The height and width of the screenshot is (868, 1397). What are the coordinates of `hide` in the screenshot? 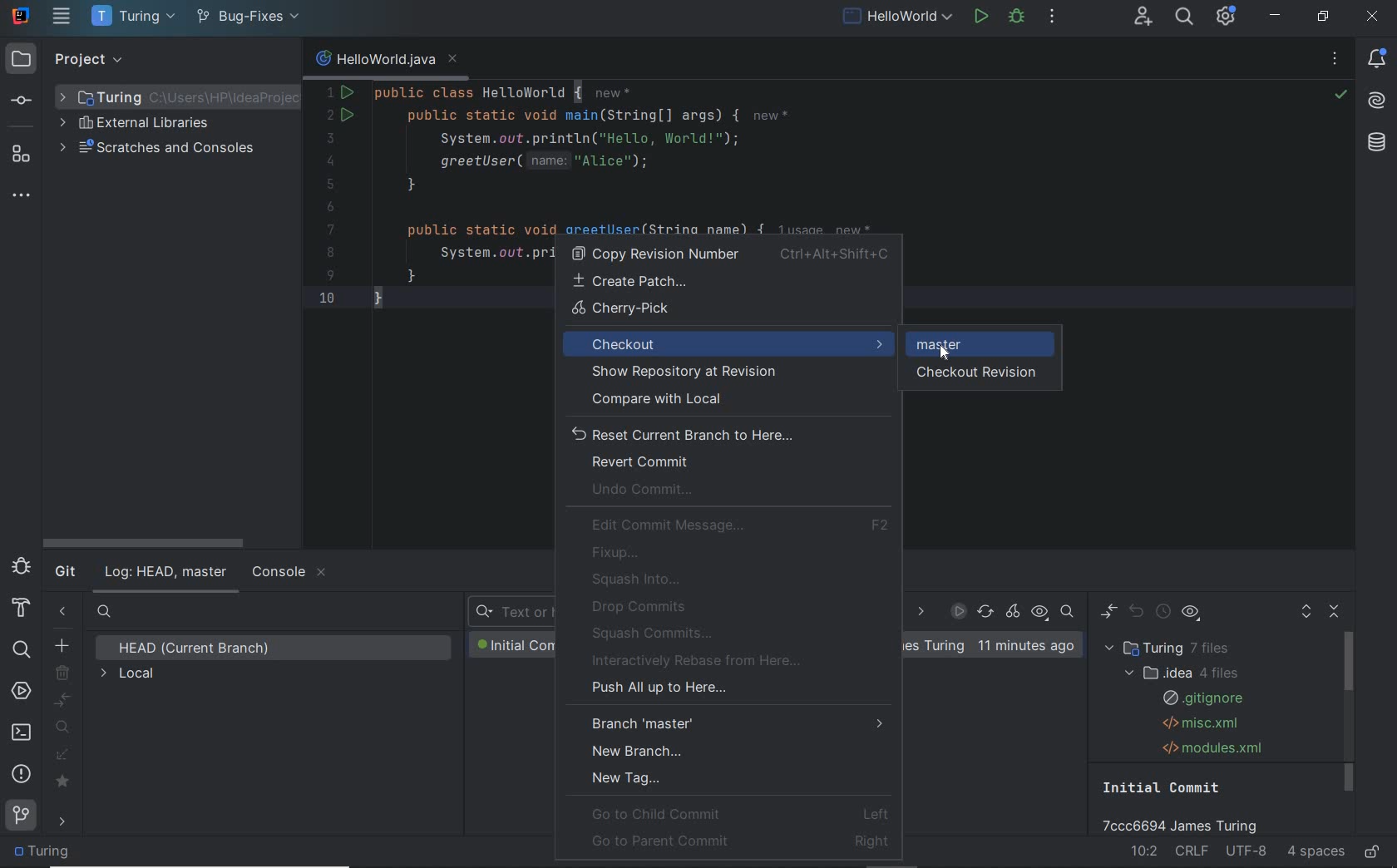 It's located at (278, 60).